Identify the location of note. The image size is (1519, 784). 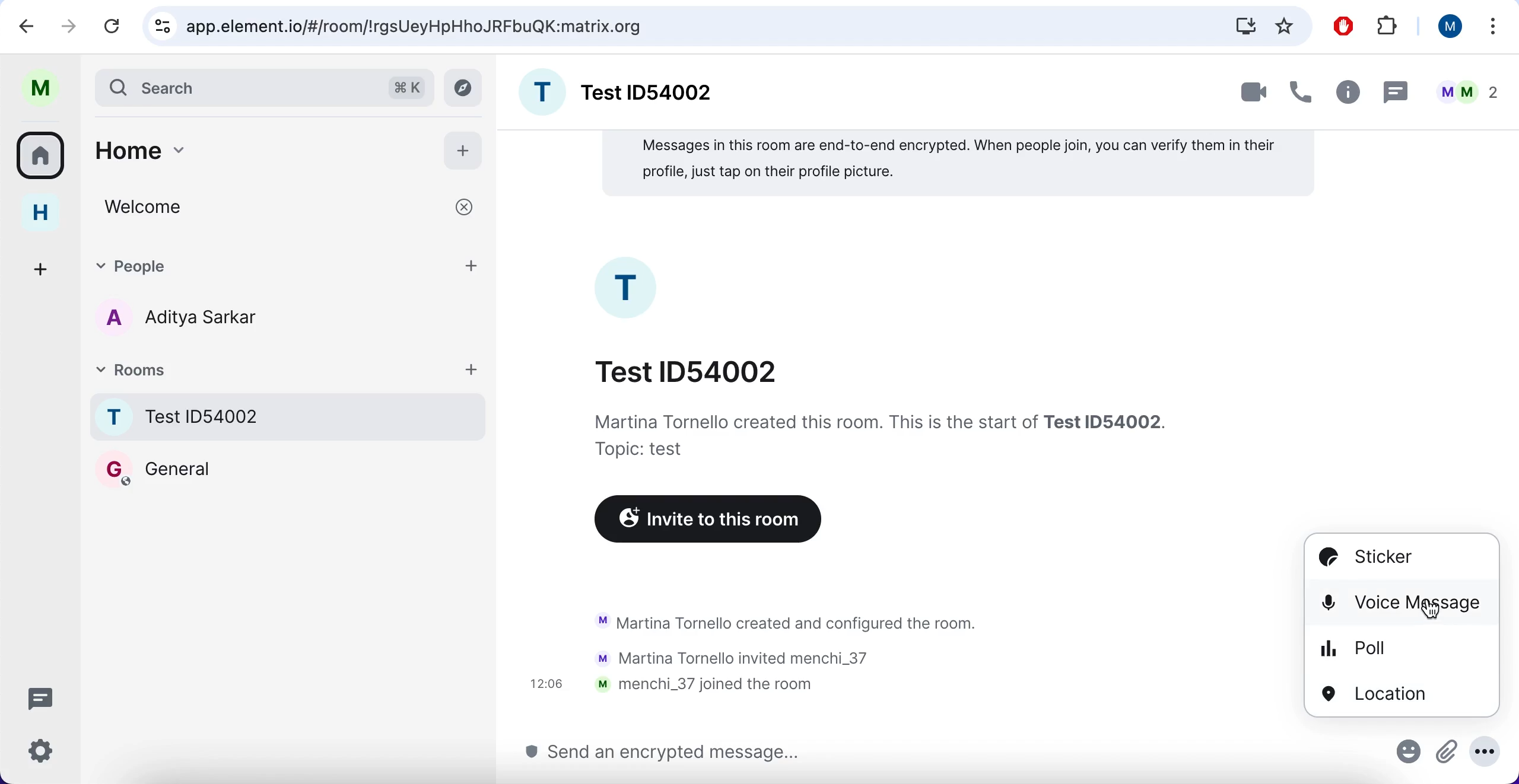
(958, 164).